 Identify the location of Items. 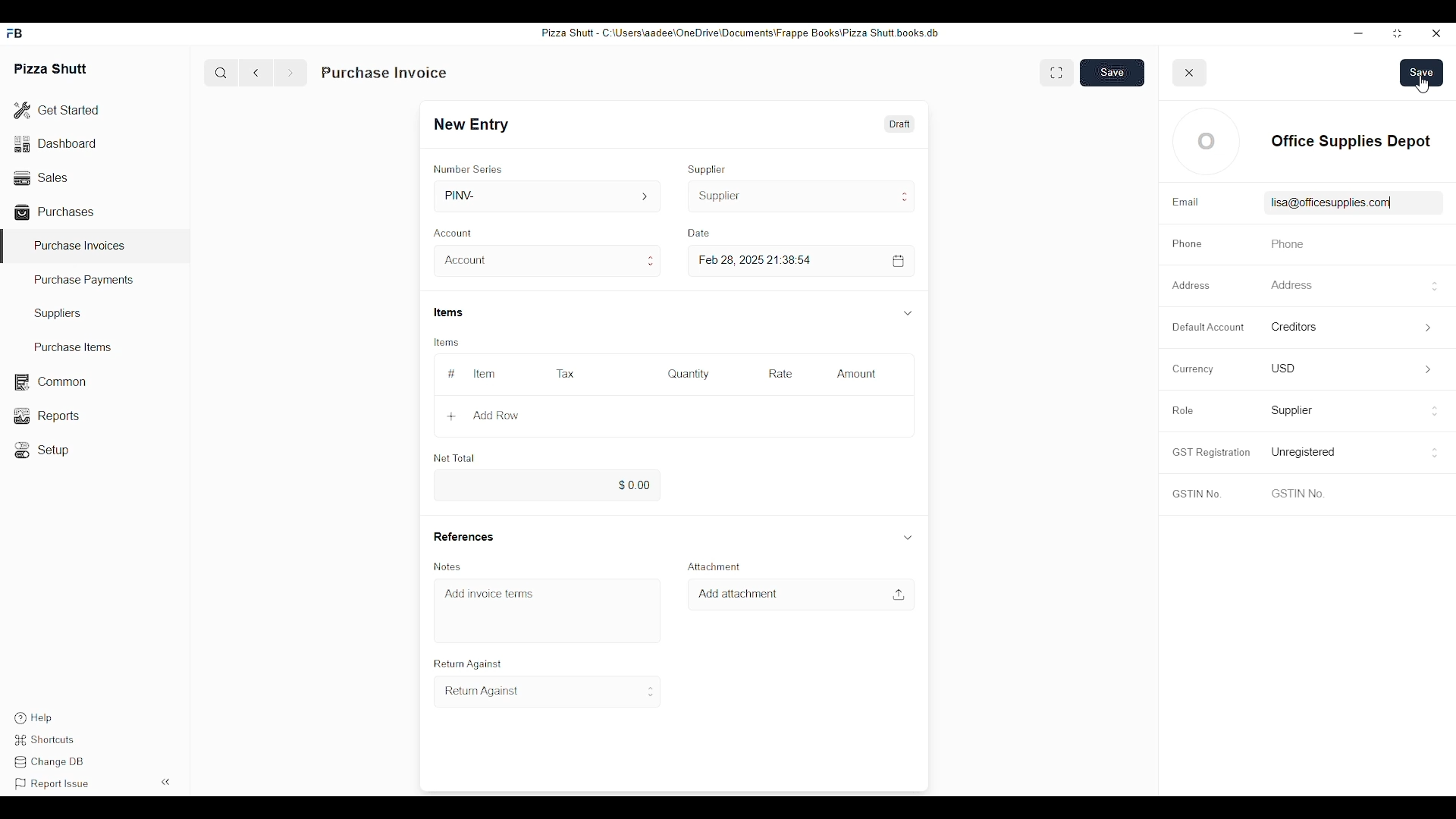
(450, 312).